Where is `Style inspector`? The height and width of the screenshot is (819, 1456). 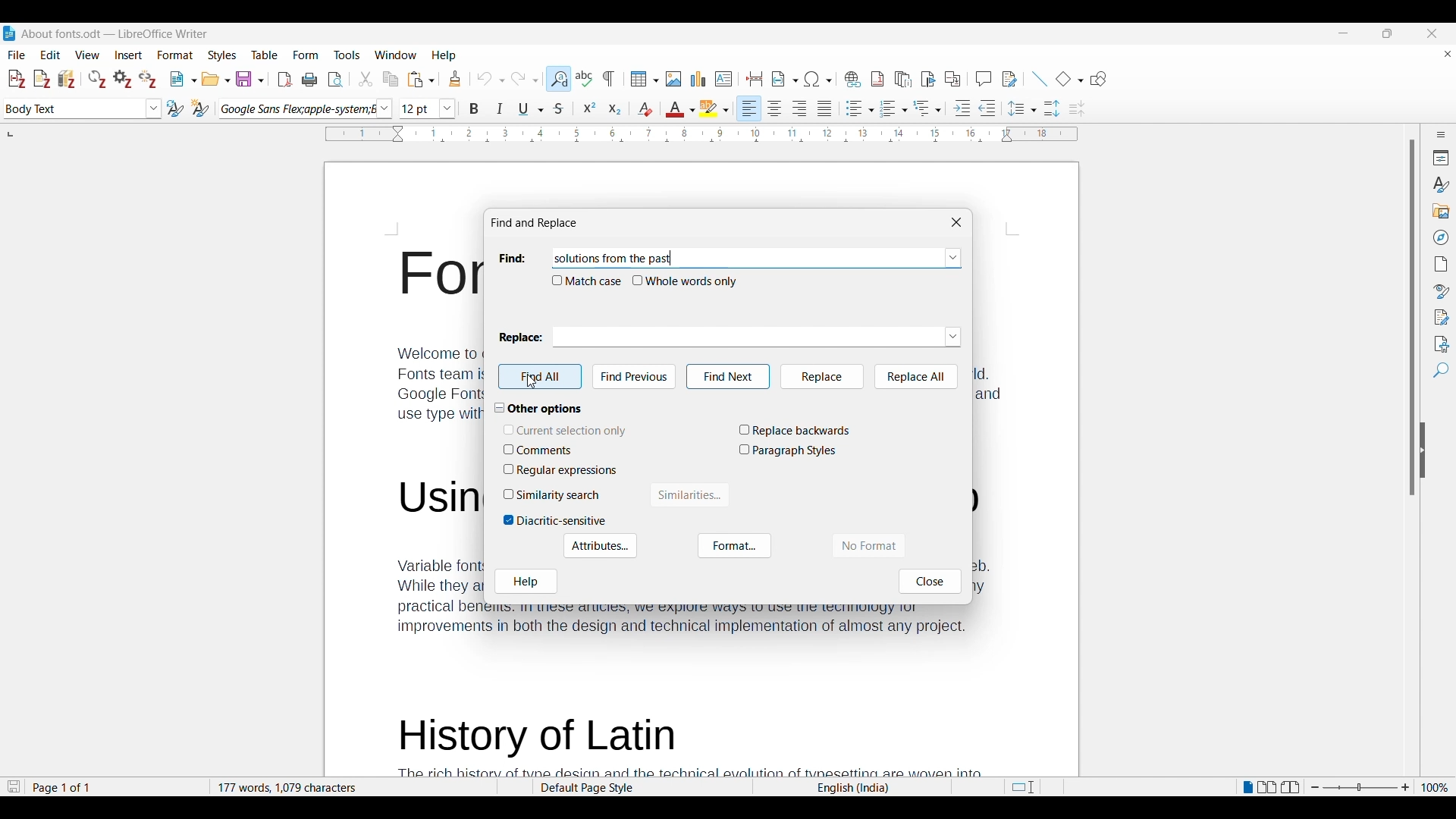
Style inspector is located at coordinates (1440, 292).